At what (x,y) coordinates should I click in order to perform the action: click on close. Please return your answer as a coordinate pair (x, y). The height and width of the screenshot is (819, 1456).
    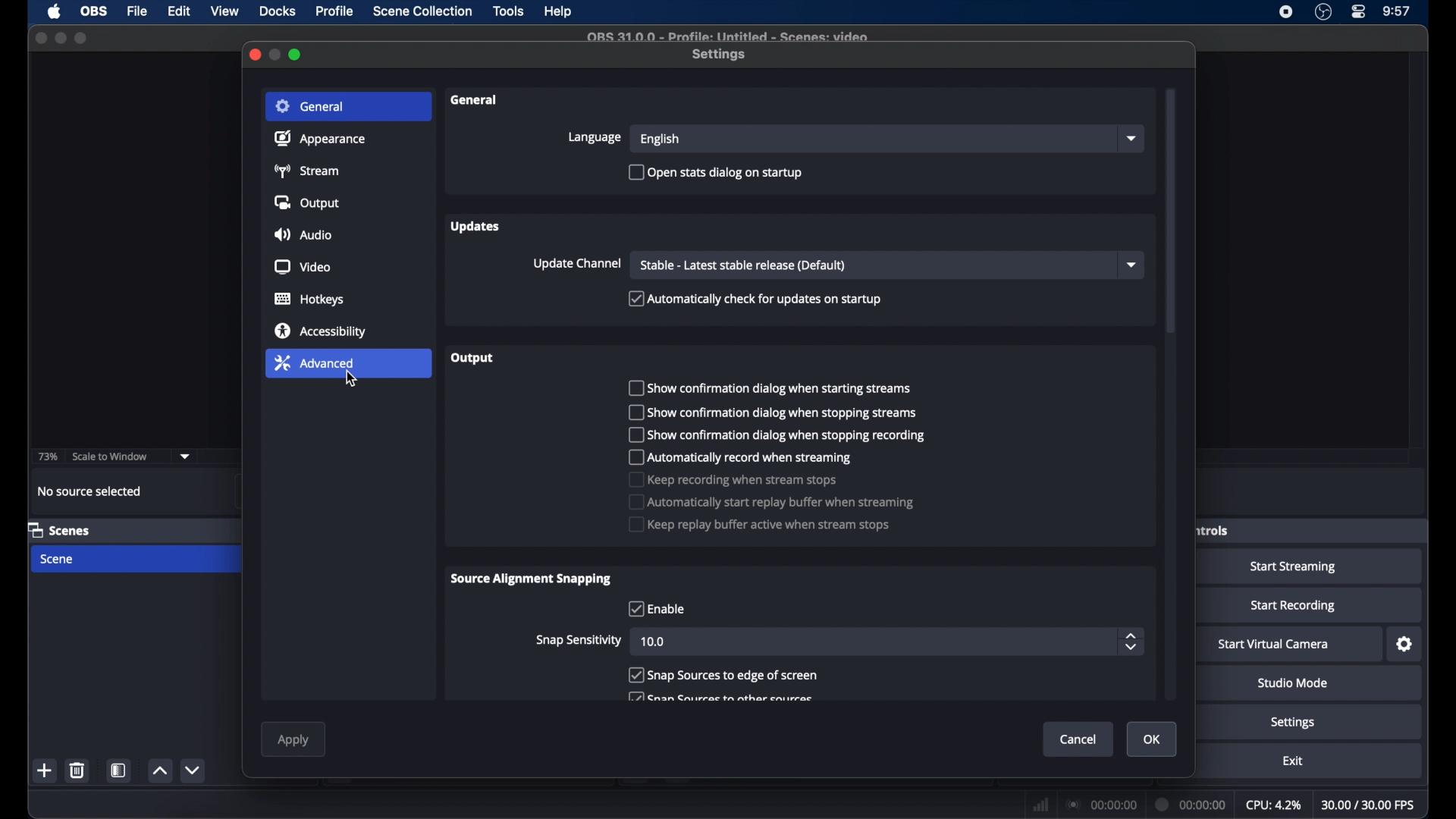
    Looking at the image, I should click on (41, 37).